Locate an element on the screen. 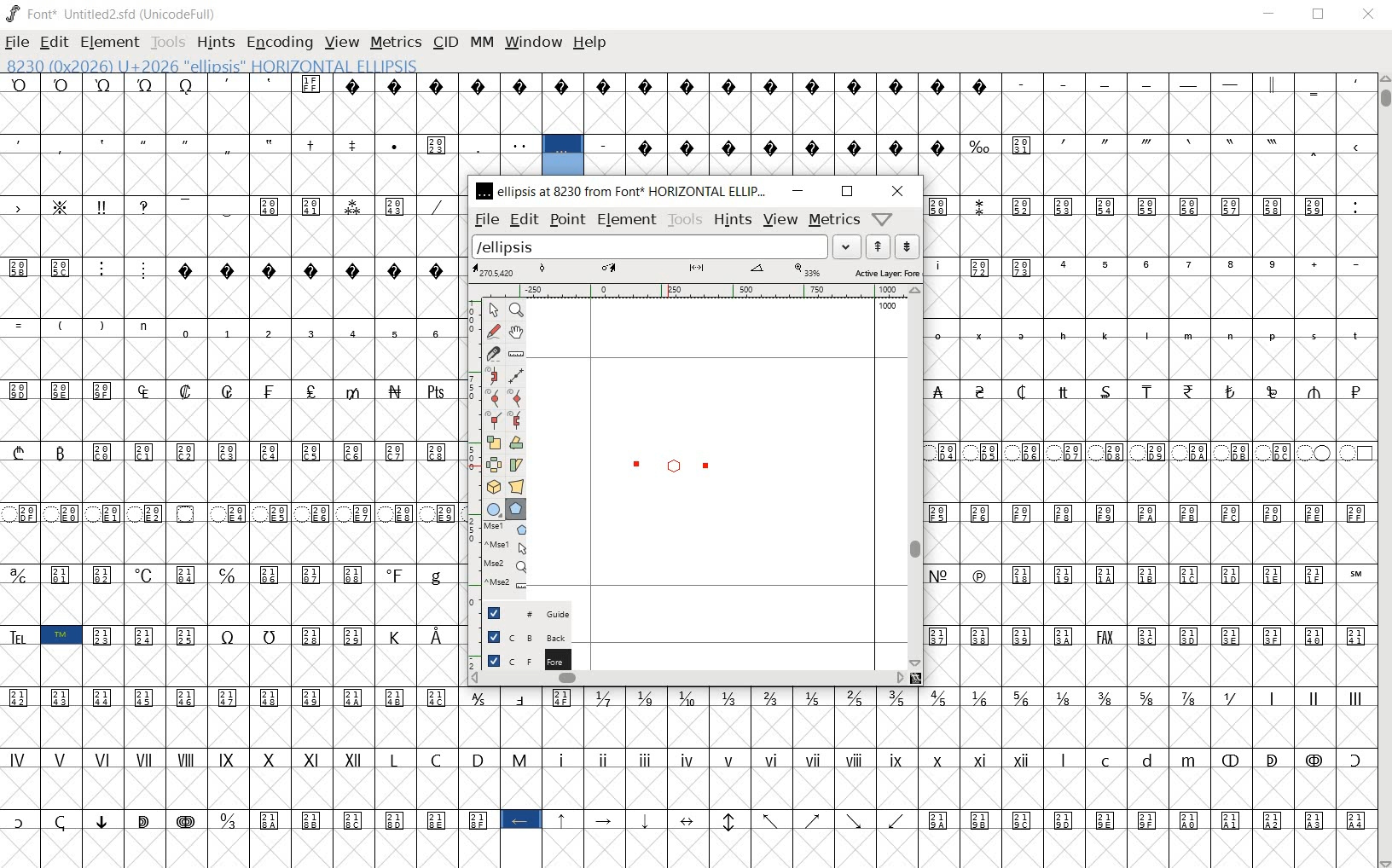 This screenshot has height=868, width=1392. change whether spiro is active or not is located at coordinates (514, 373).